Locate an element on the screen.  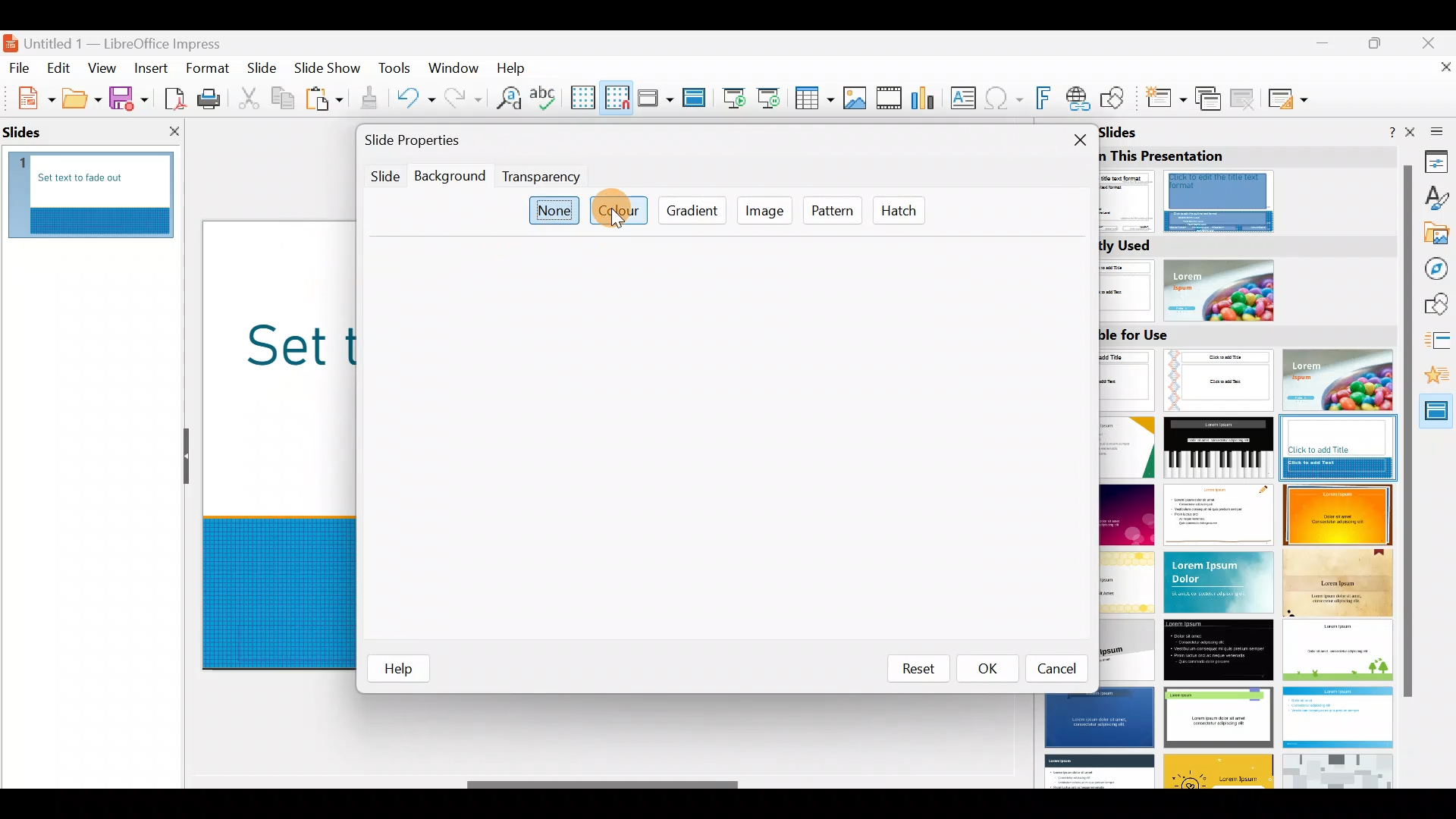
Slide is located at coordinates (381, 177).